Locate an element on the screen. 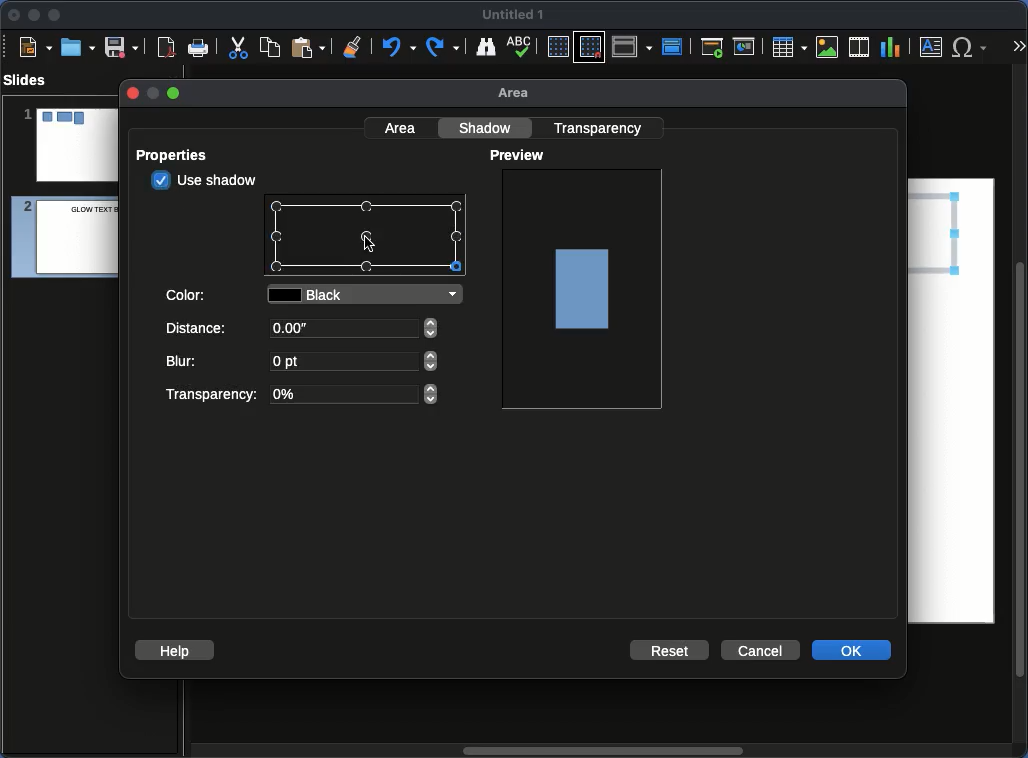  checked Use shadow is located at coordinates (206, 180).